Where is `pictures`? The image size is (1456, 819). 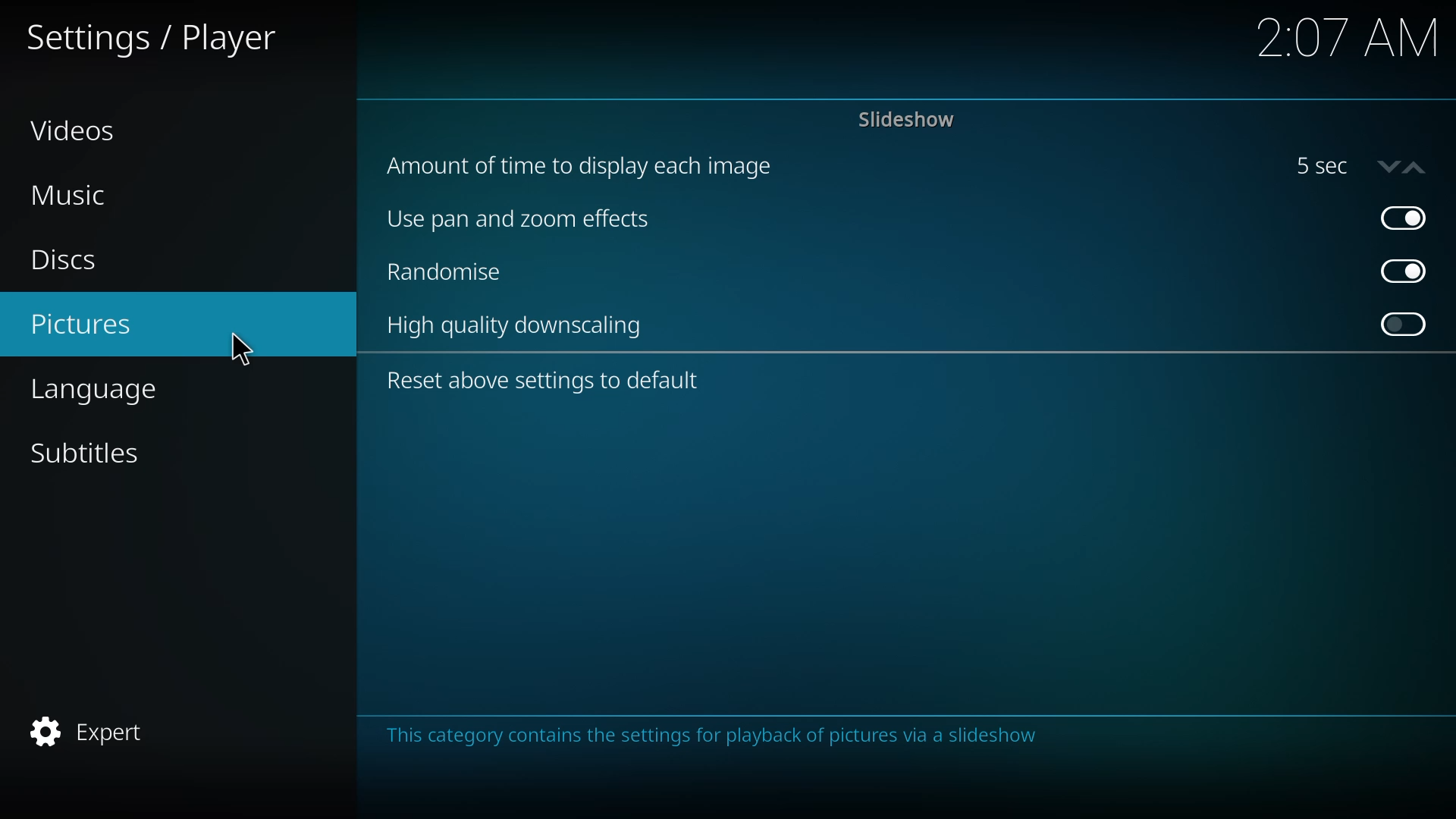
pictures is located at coordinates (86, 325).